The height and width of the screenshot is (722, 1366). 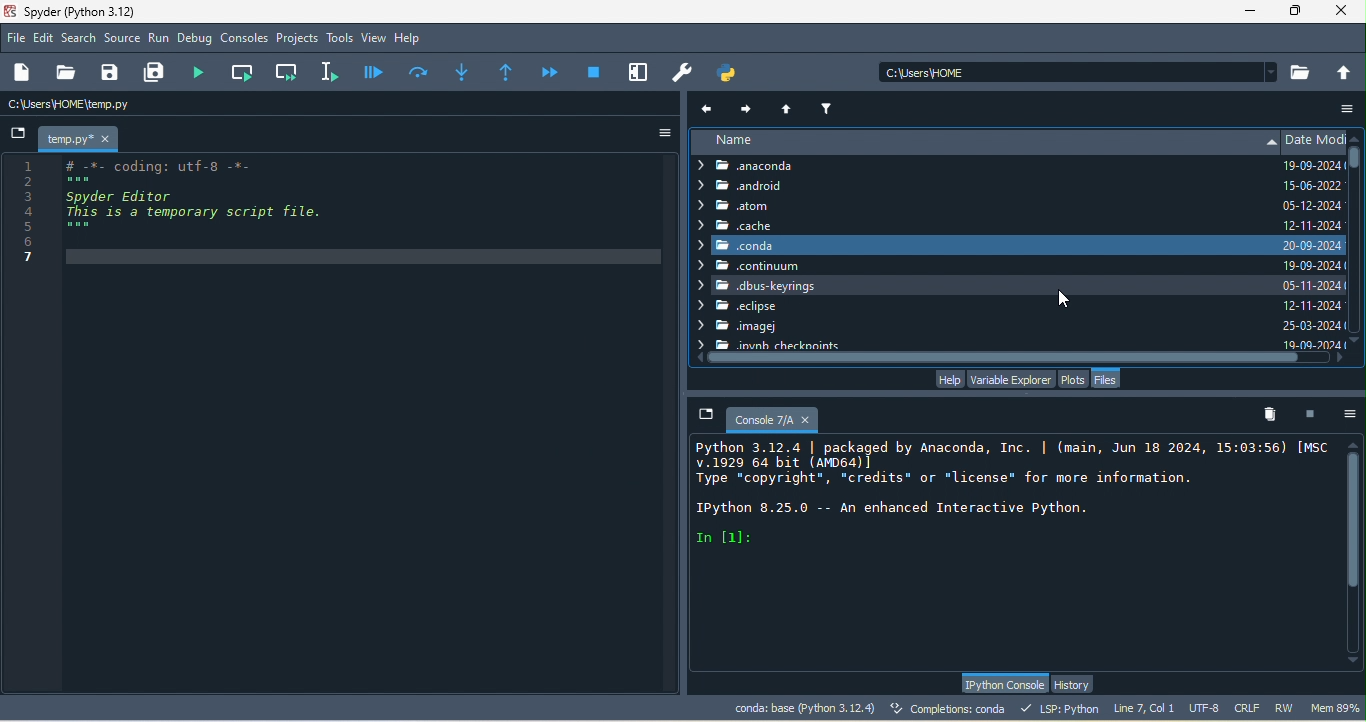 What do you see at coordinates (1355, 443) in the screenshot?
I see `scroll up` at bounding box center [1355, 443].